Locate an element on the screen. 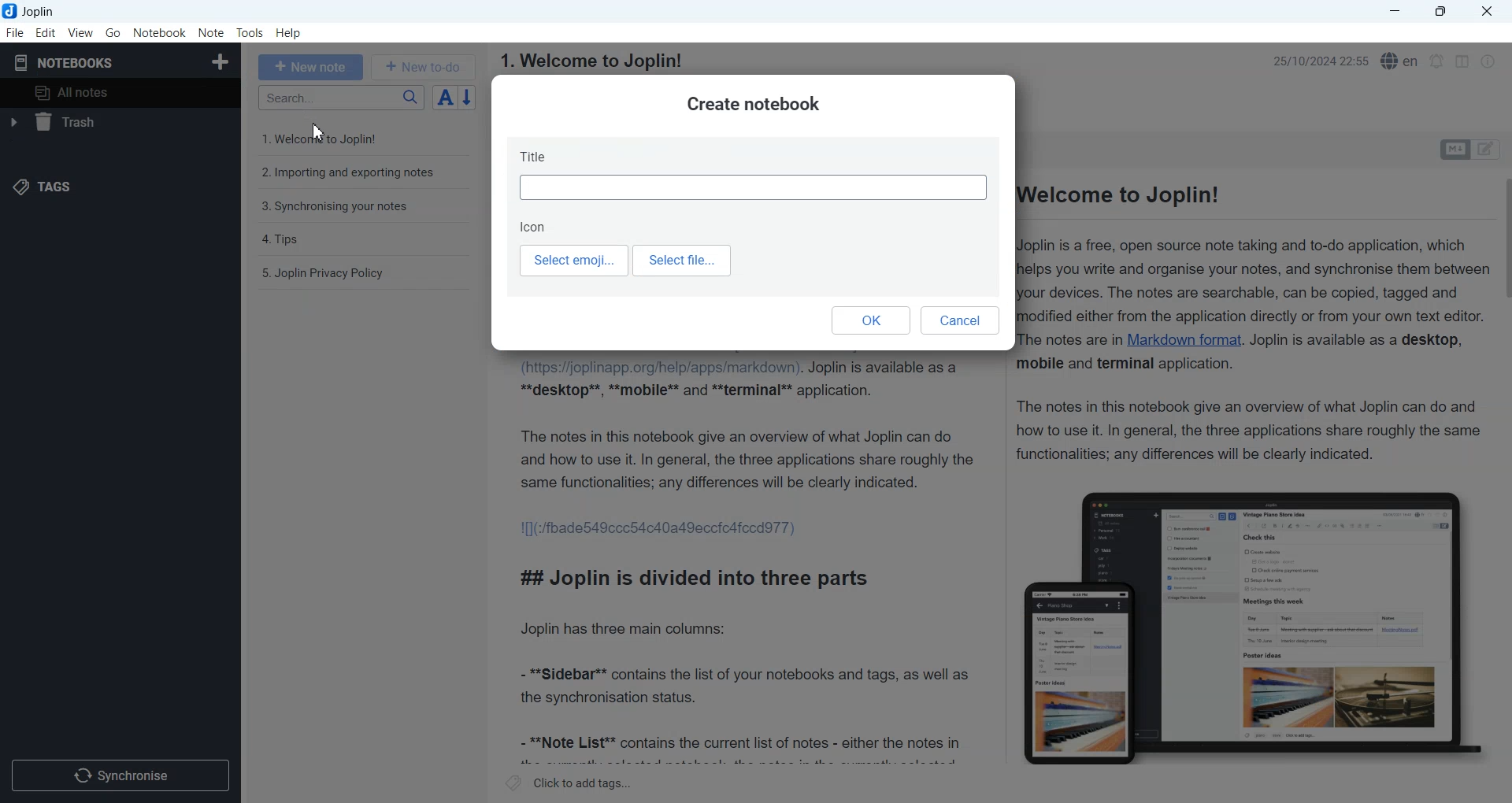 This screenshot has height=803, width=1512. Create Notebook is located at coordinates (221, 60).